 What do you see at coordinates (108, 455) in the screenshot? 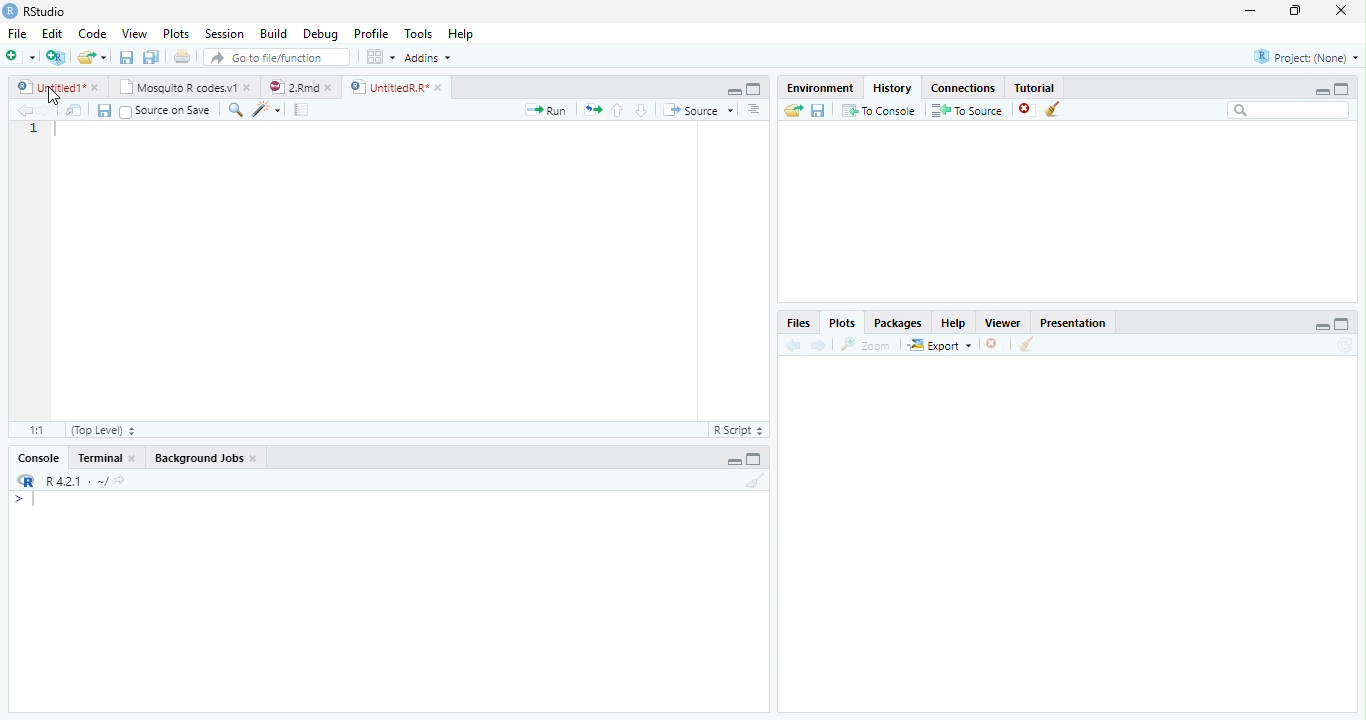
I see `Terminal` at bounding box center [108, 455].